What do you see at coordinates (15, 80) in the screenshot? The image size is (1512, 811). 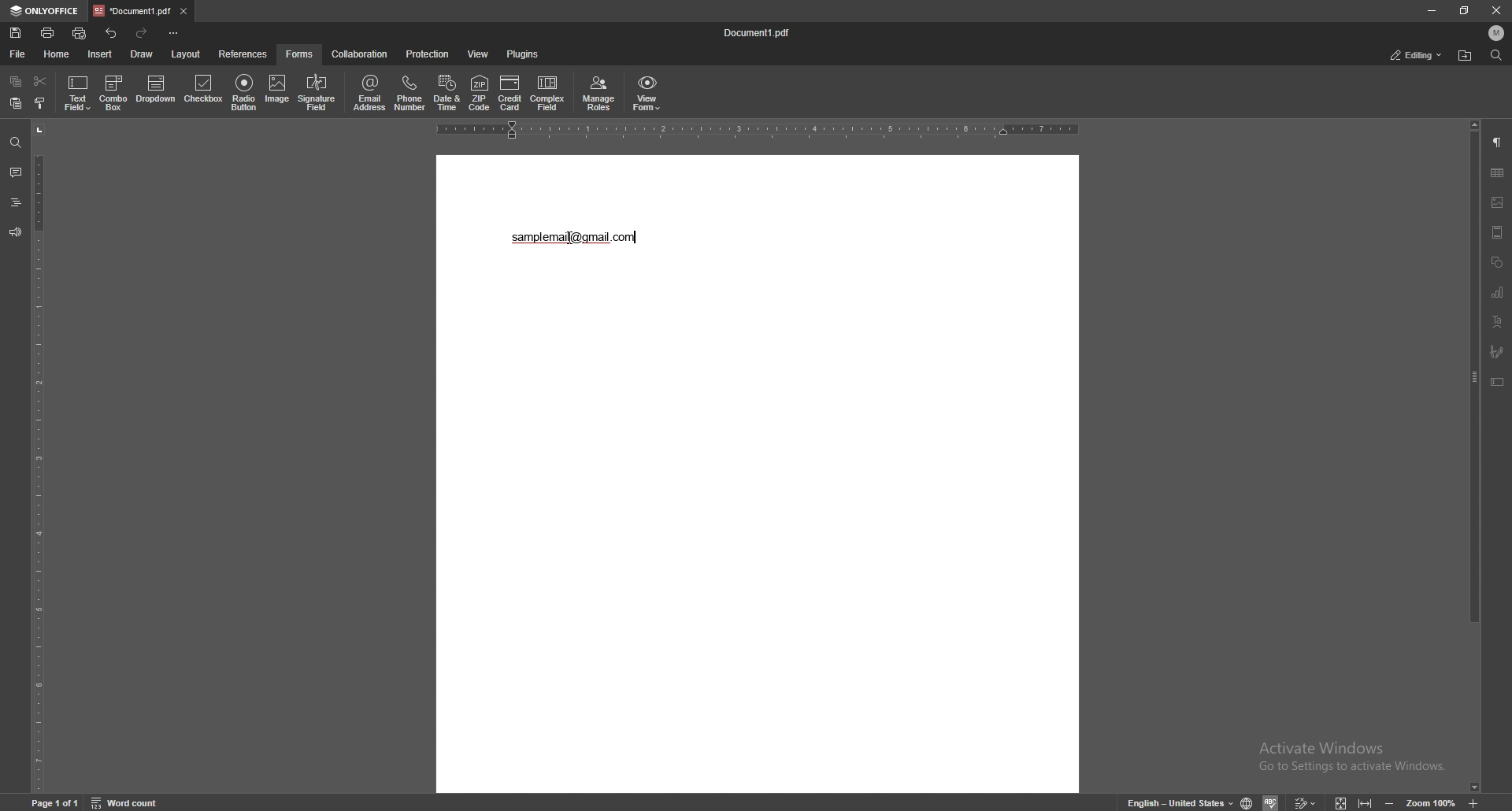 I see `copy` at bounding box center [15, 80].